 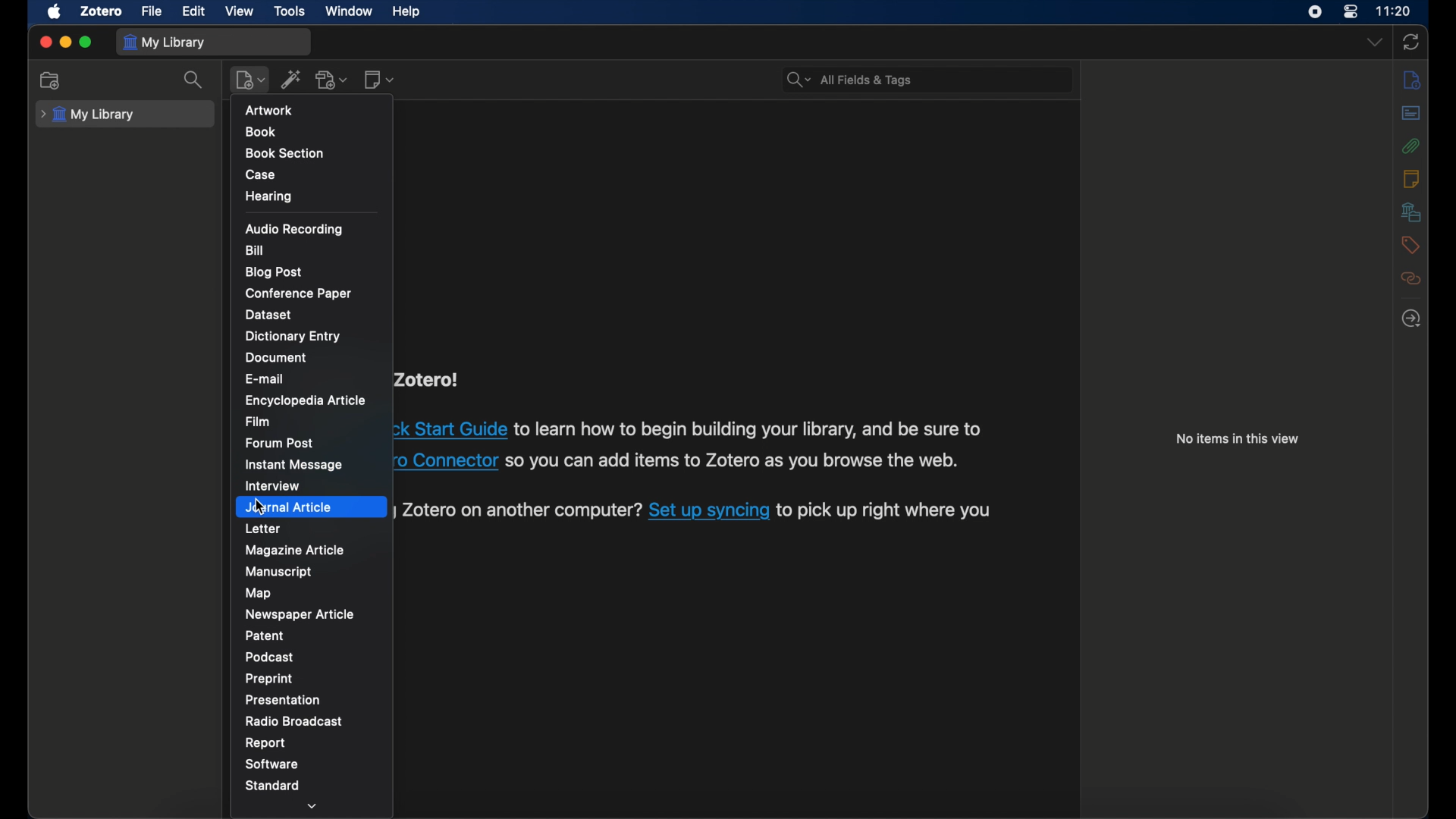 I want to click on radio broadcast, so click(x=294, y=721).